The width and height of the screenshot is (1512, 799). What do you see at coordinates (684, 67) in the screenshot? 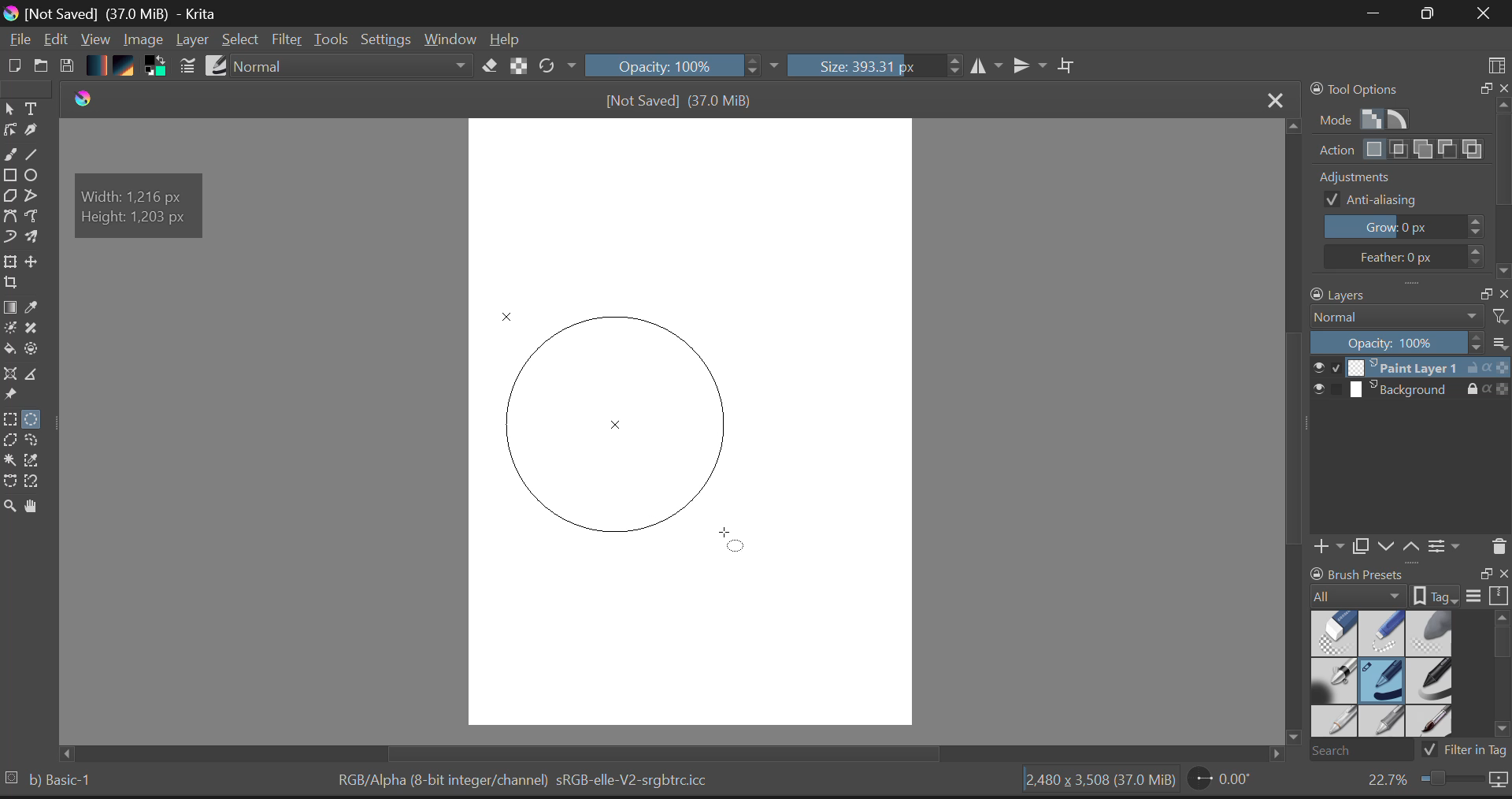
I see `Opacity` at bounding box center [684, 67].